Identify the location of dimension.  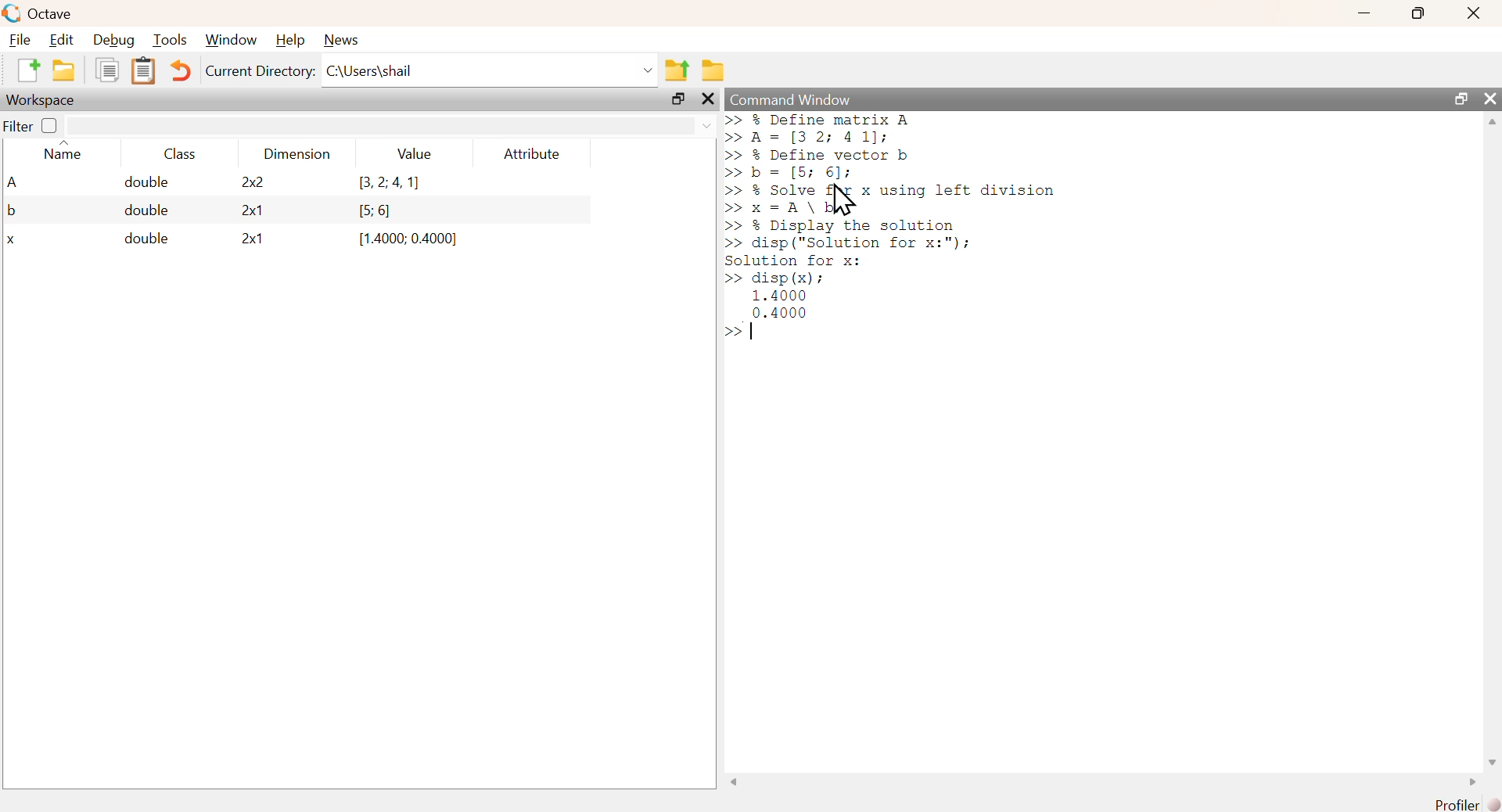
(296, 156).